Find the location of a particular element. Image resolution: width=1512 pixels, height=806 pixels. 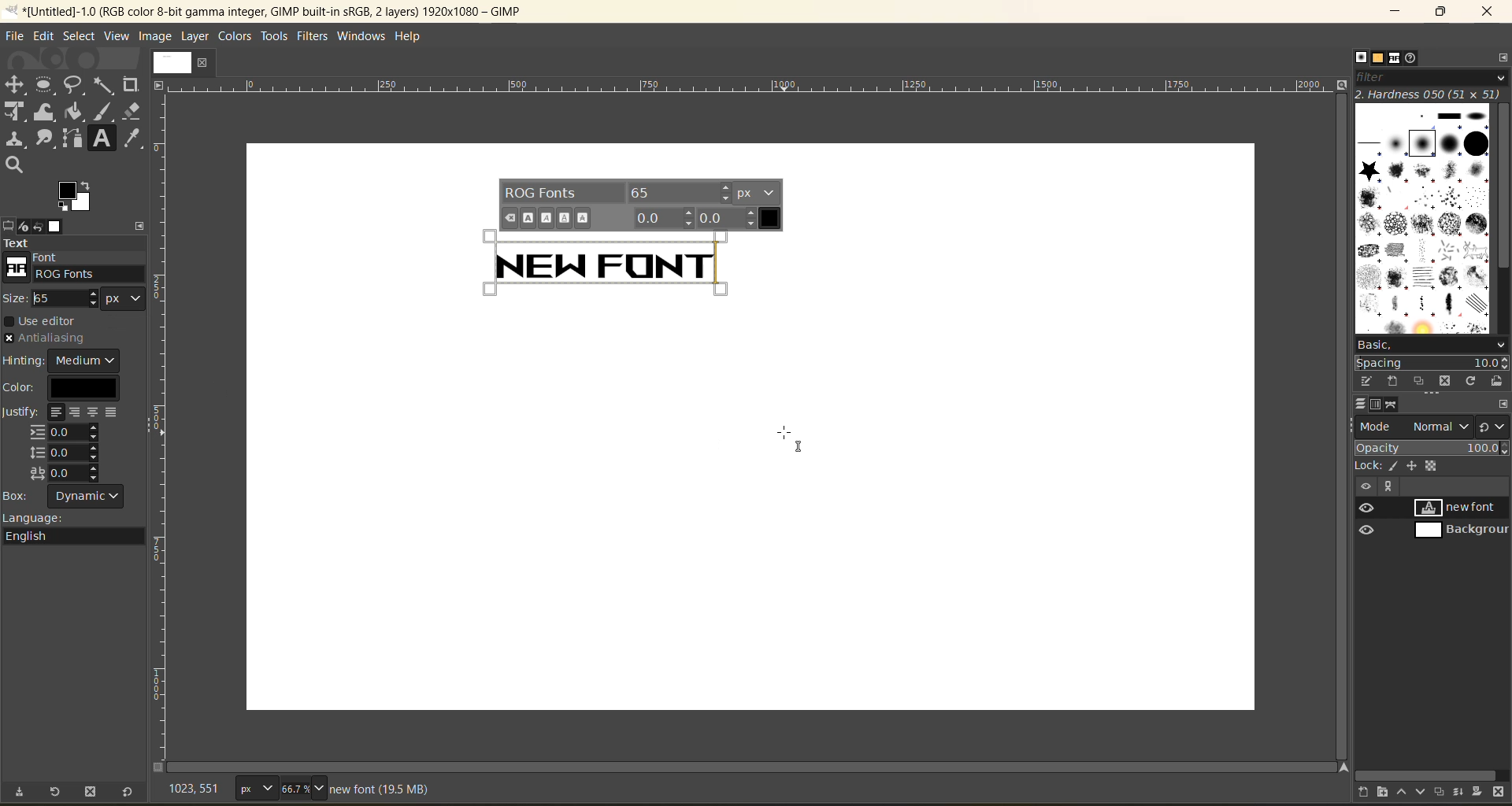

file name and app title is located at coordinates (298, 14).